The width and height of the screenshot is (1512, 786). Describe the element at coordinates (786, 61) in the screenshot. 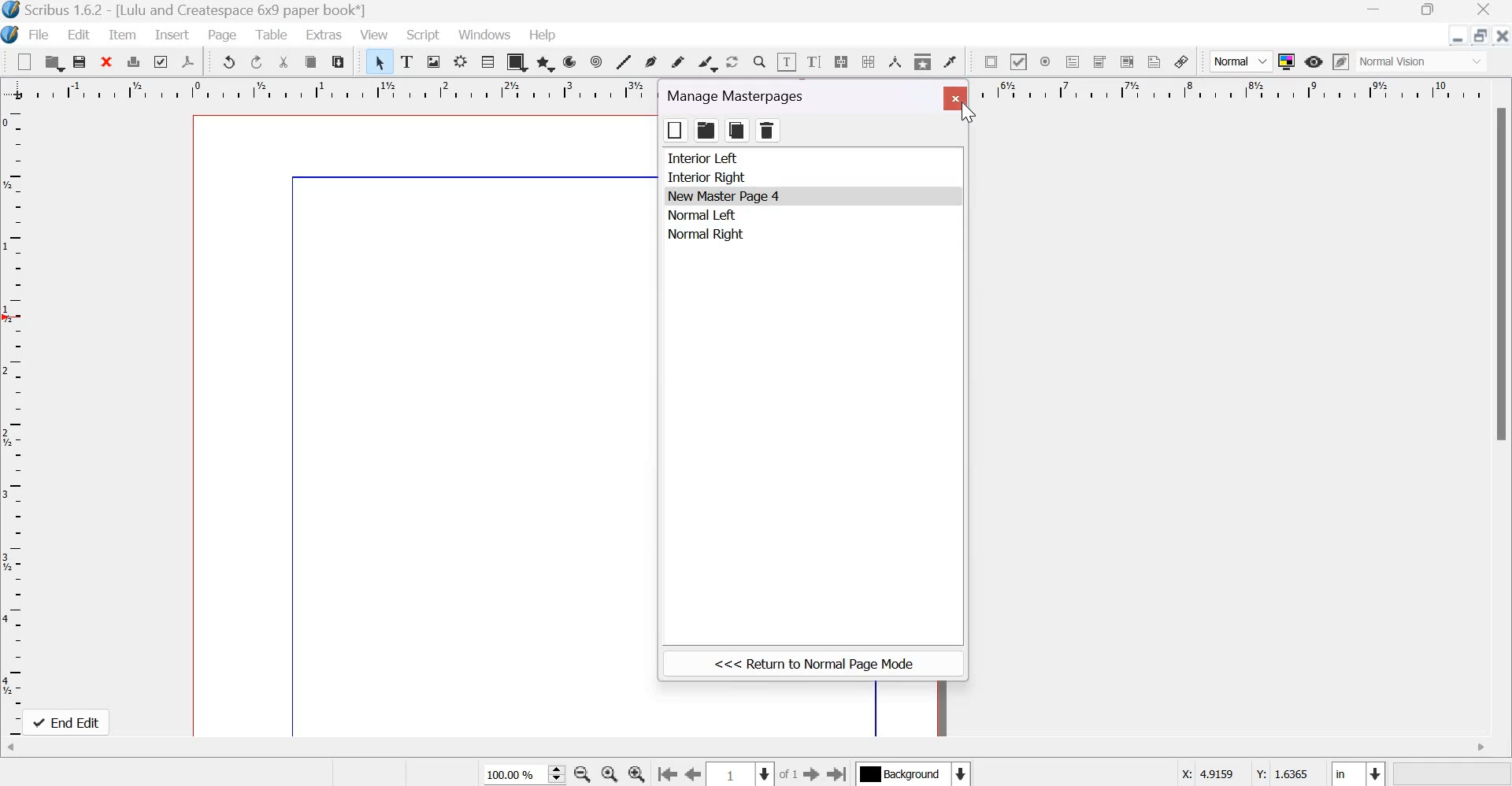

I see `Edit contents of frame` at that location.